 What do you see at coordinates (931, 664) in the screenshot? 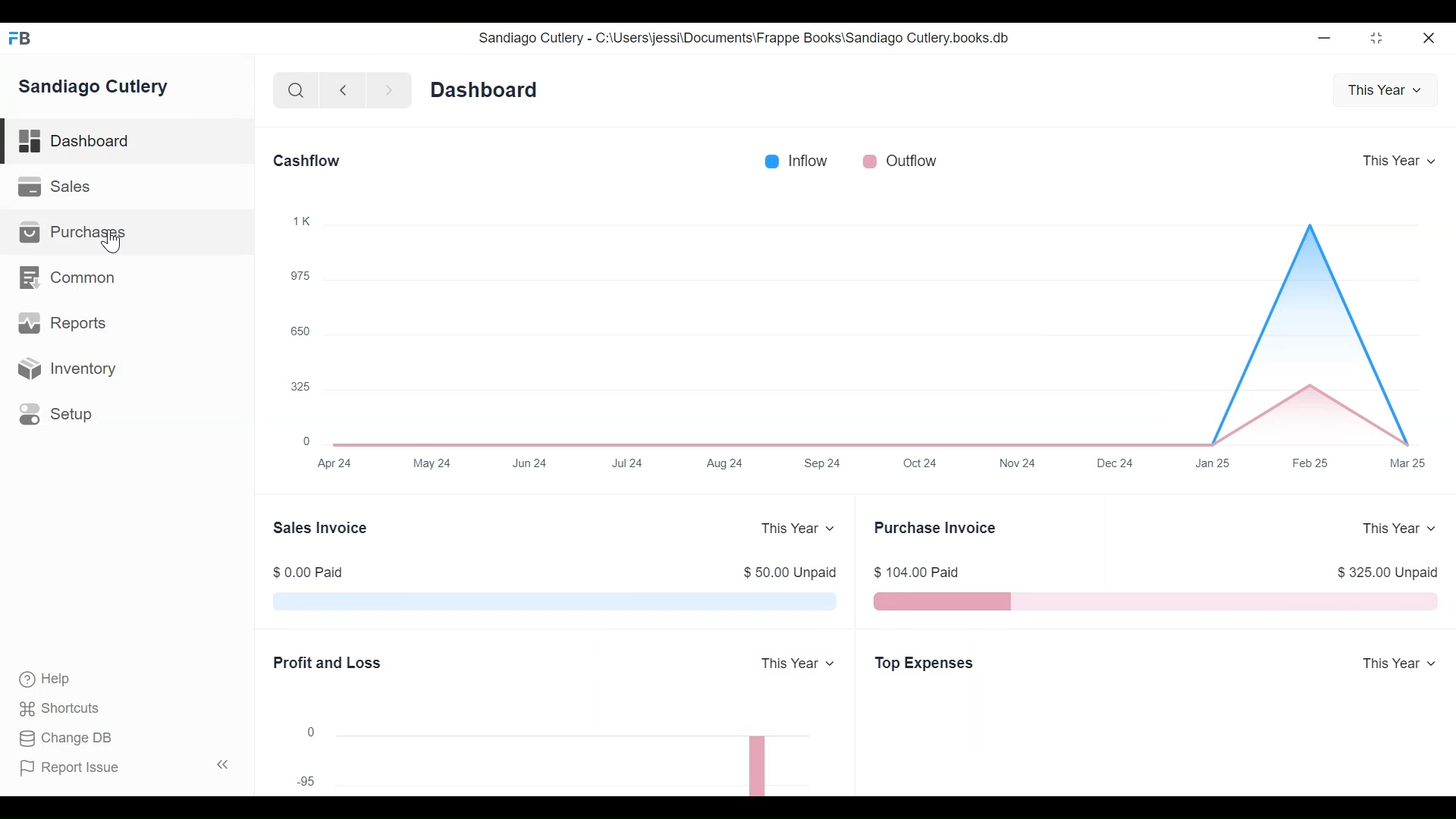
I see `Top Expenses` at bounding box center [931, 664].